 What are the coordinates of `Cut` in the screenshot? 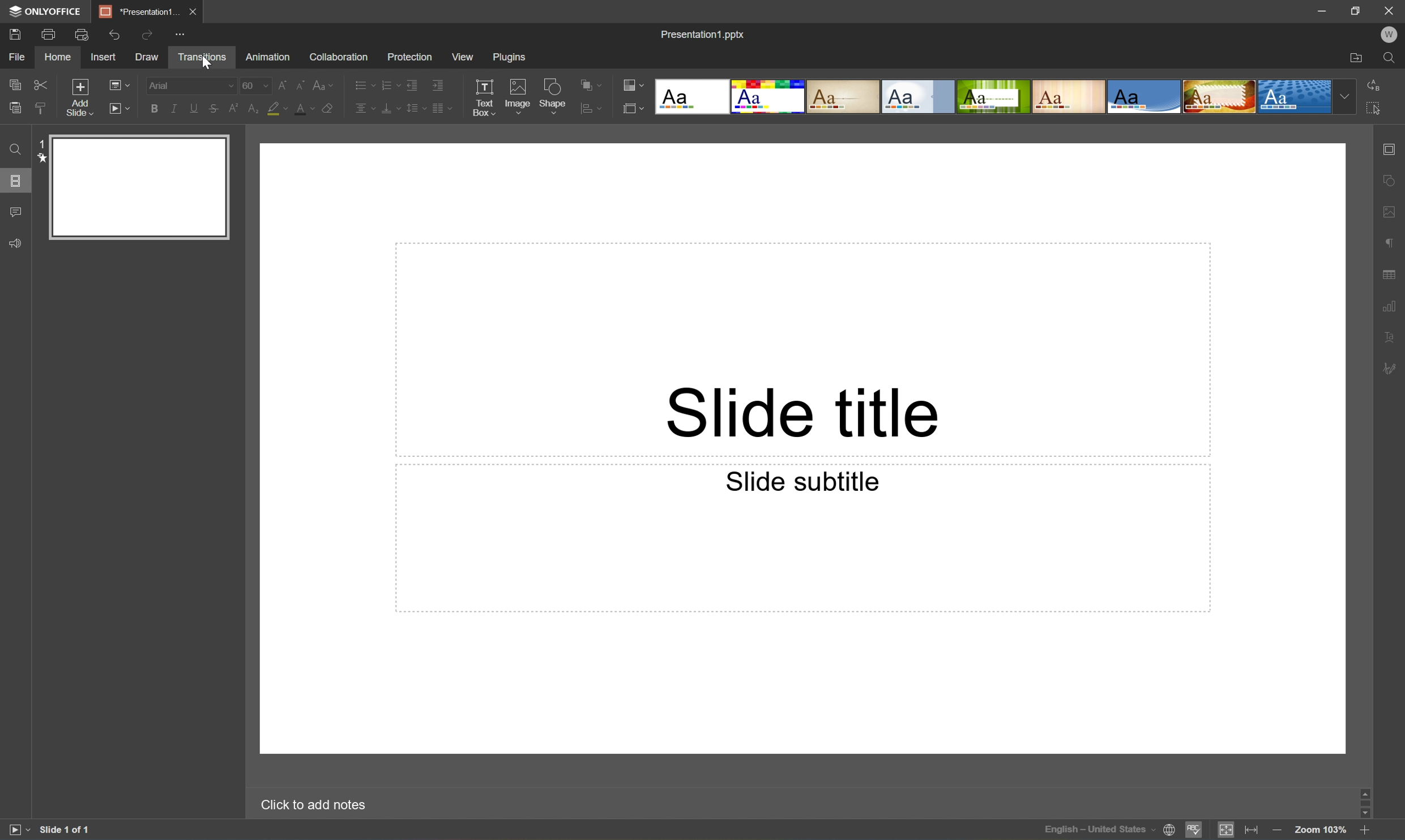 It's located at (40, 83).